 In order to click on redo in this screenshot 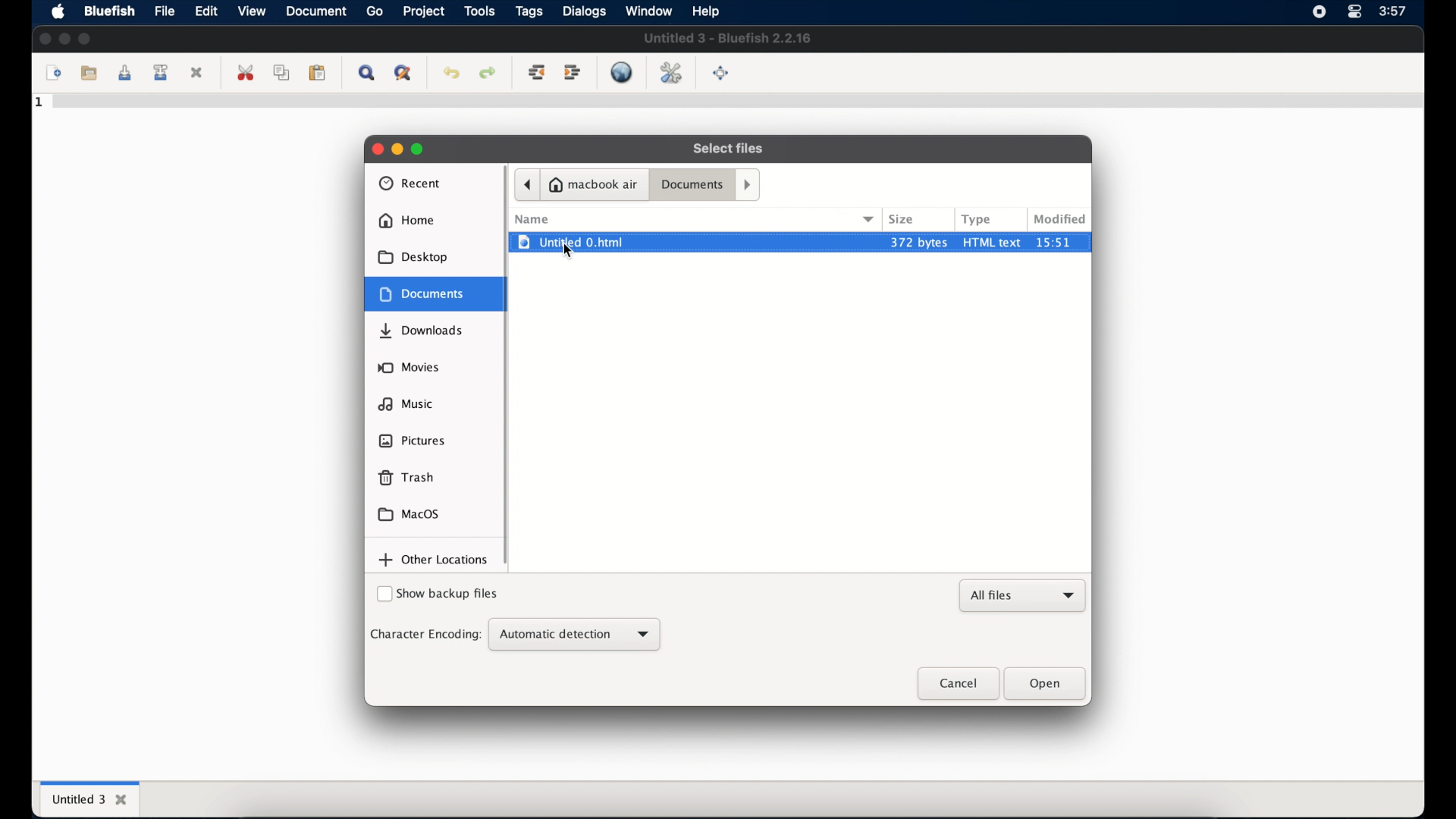, I will do `click(487, 74)`.